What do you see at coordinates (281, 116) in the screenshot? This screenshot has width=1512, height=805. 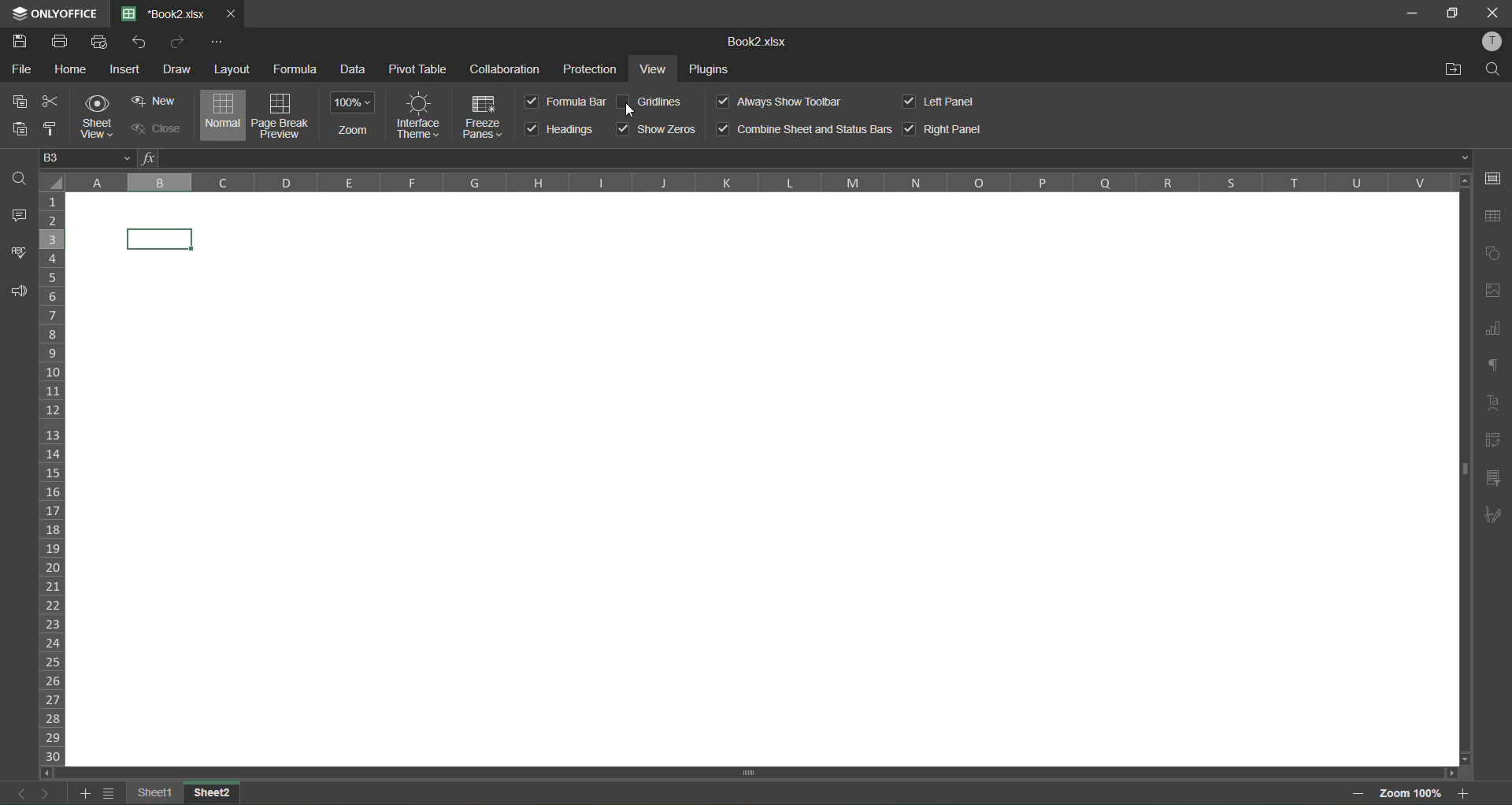 I see `page break preview` at bounding box center [281, 116].